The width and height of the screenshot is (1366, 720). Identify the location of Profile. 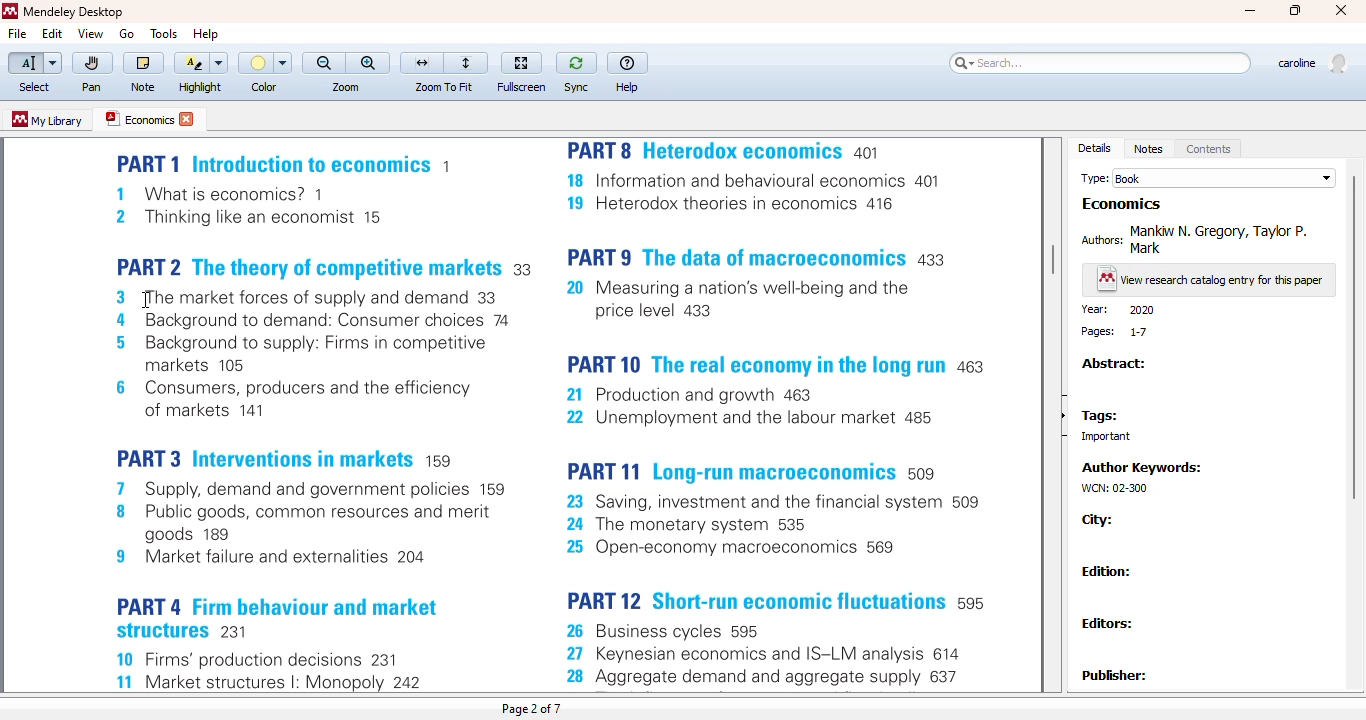
(1315, 65).